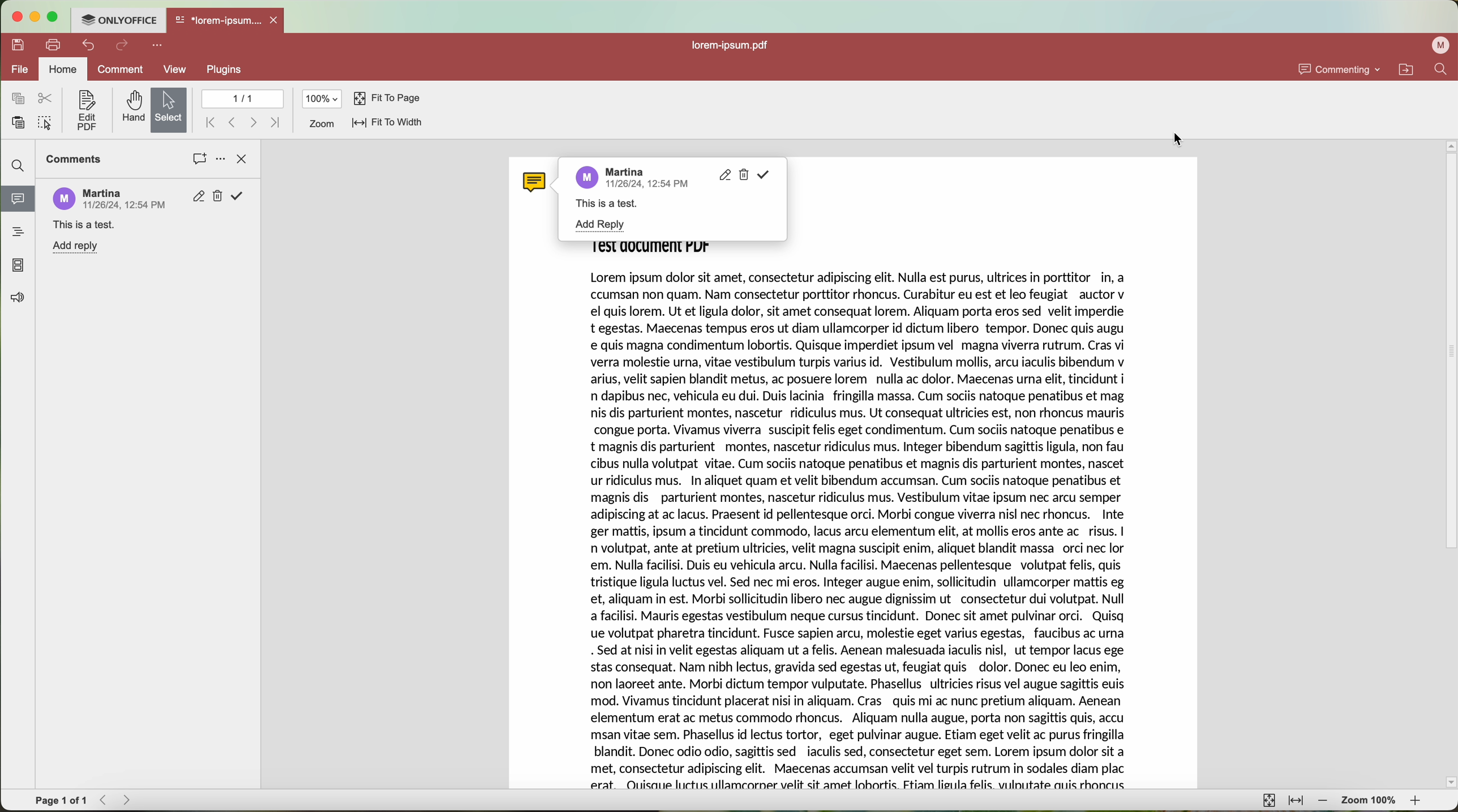  I want to click on text, so click(610, 204).